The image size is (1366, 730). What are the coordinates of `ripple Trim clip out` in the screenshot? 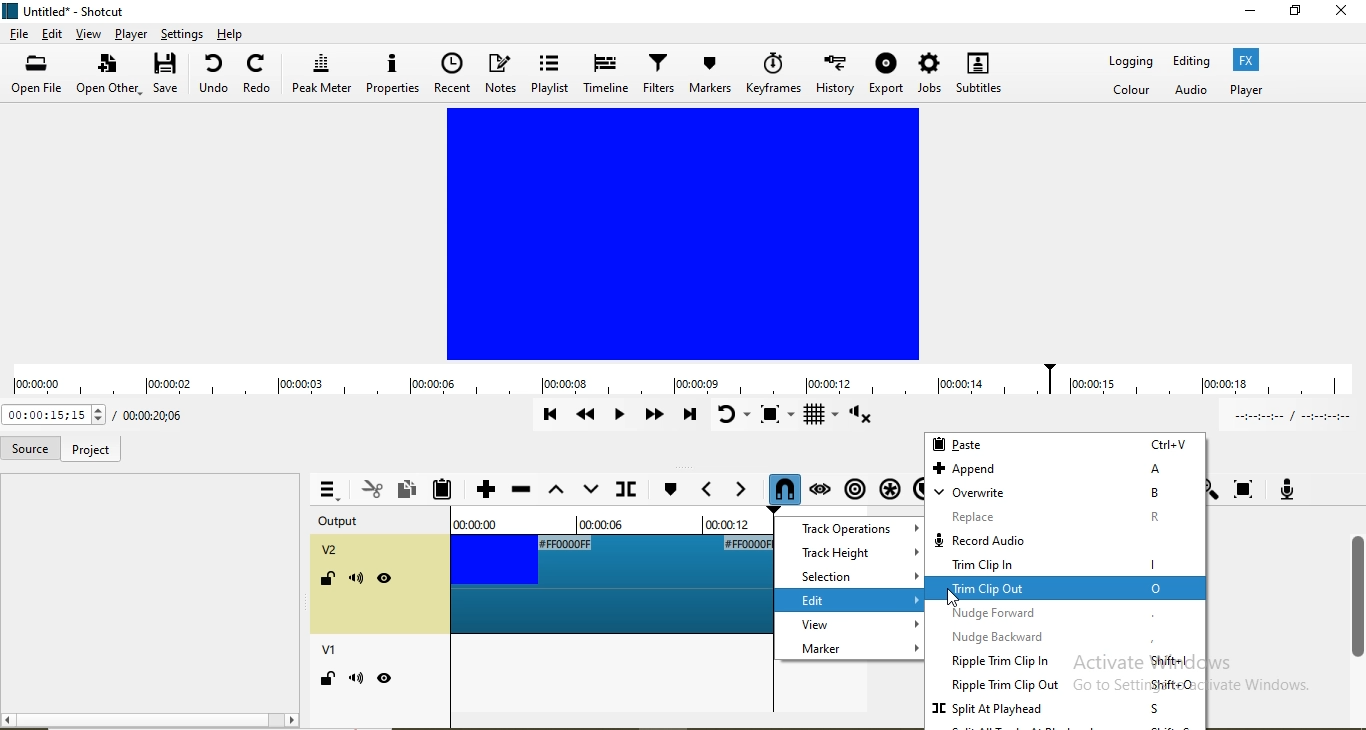 It's located at (1069, 686).